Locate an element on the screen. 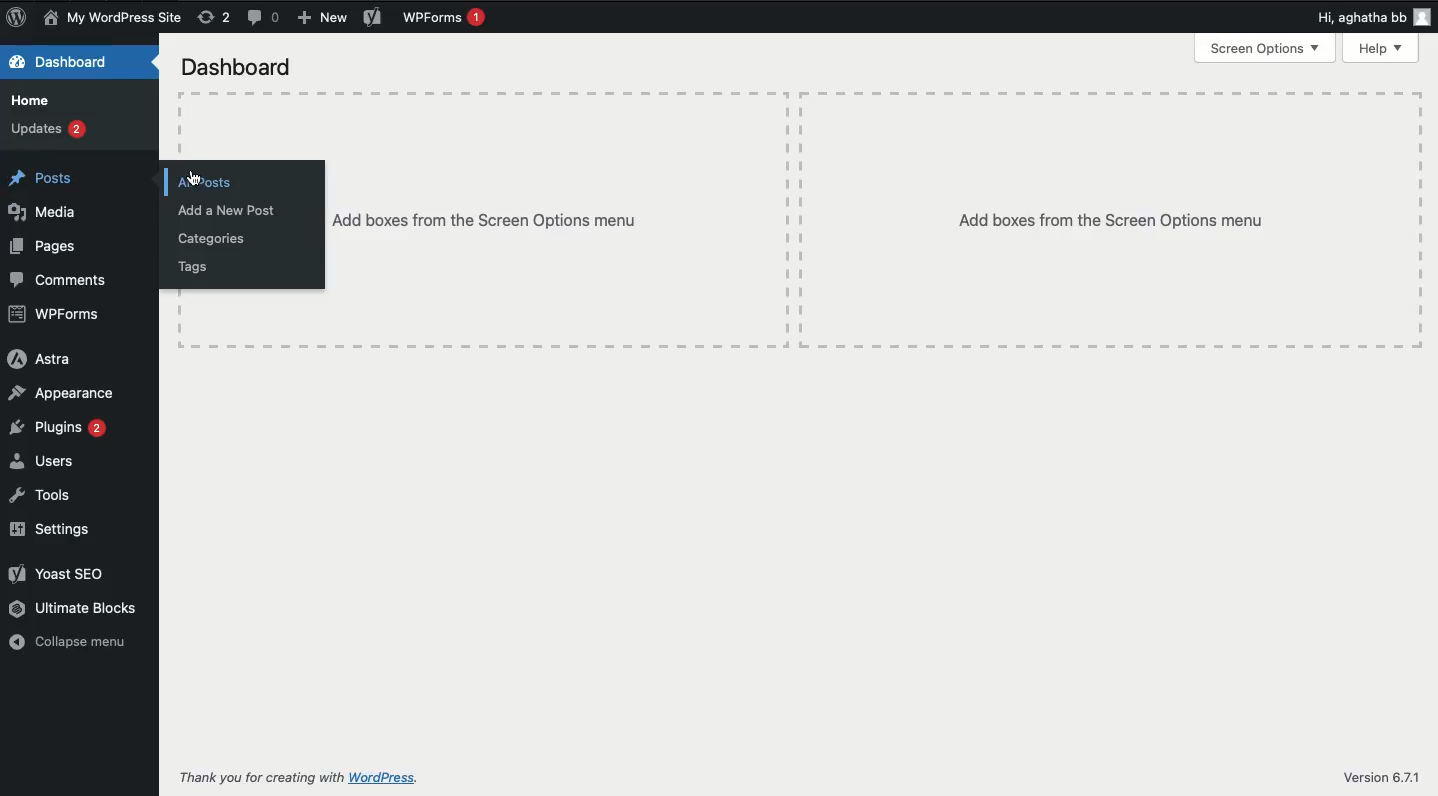 This screenshot has height=796, width=1438. Yoast is located at coordinates (57, 573).